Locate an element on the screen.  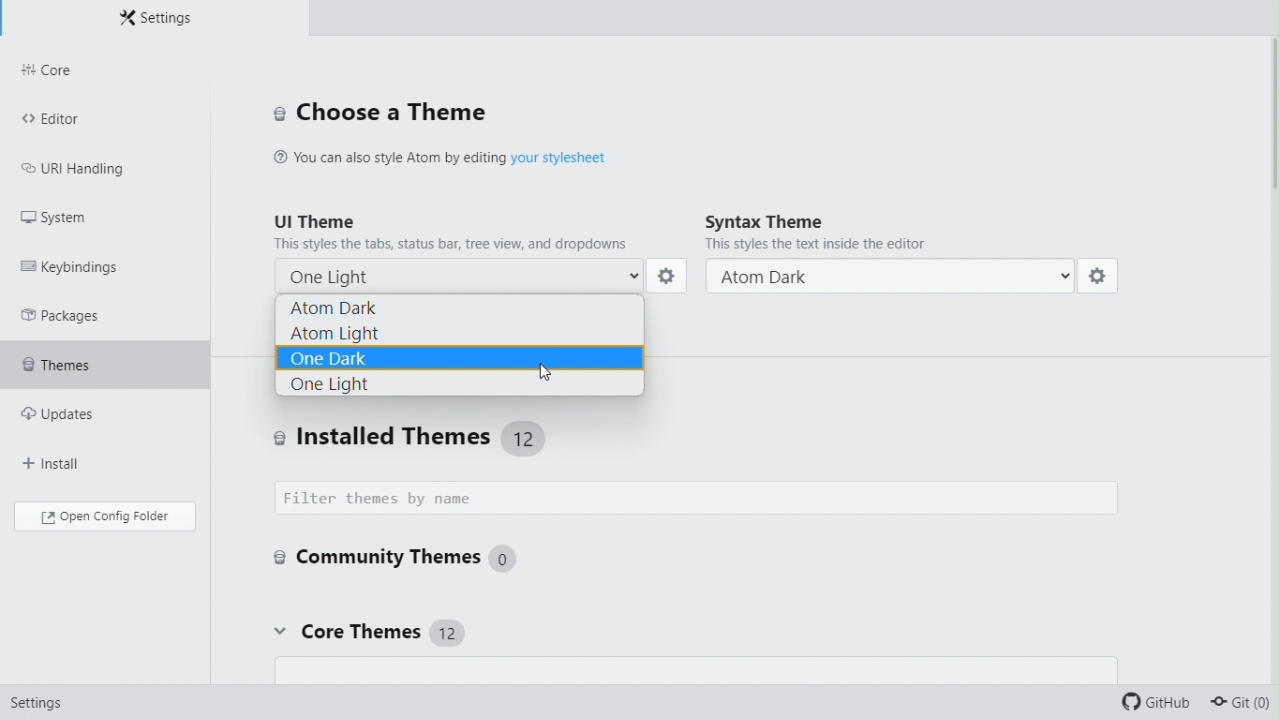
Atom light is located at coordinates (463, 333).